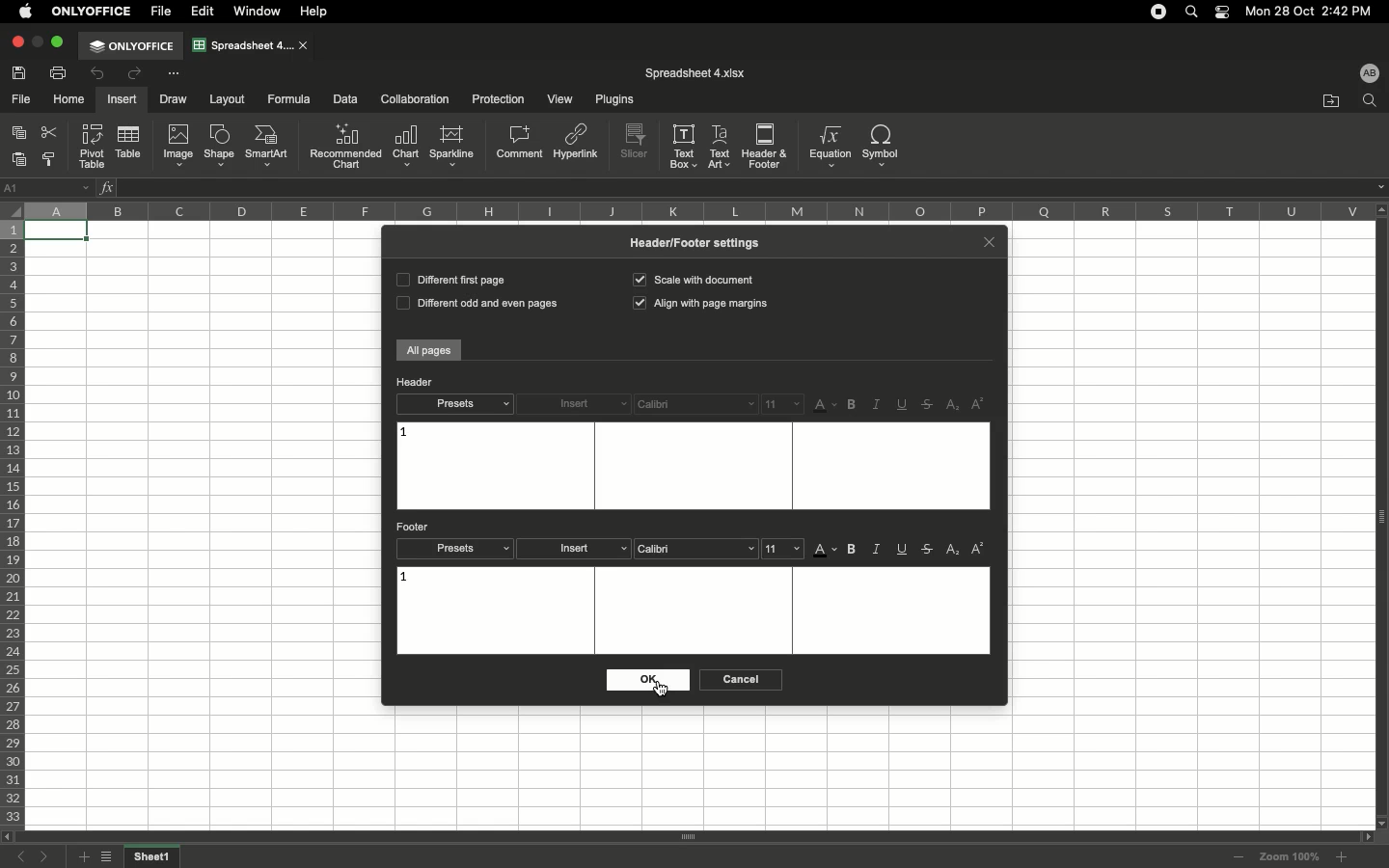 The image size is (1389, 868). Describe the element at coordinates (575, 405) in the screenshot. I see `Insert` at that location.